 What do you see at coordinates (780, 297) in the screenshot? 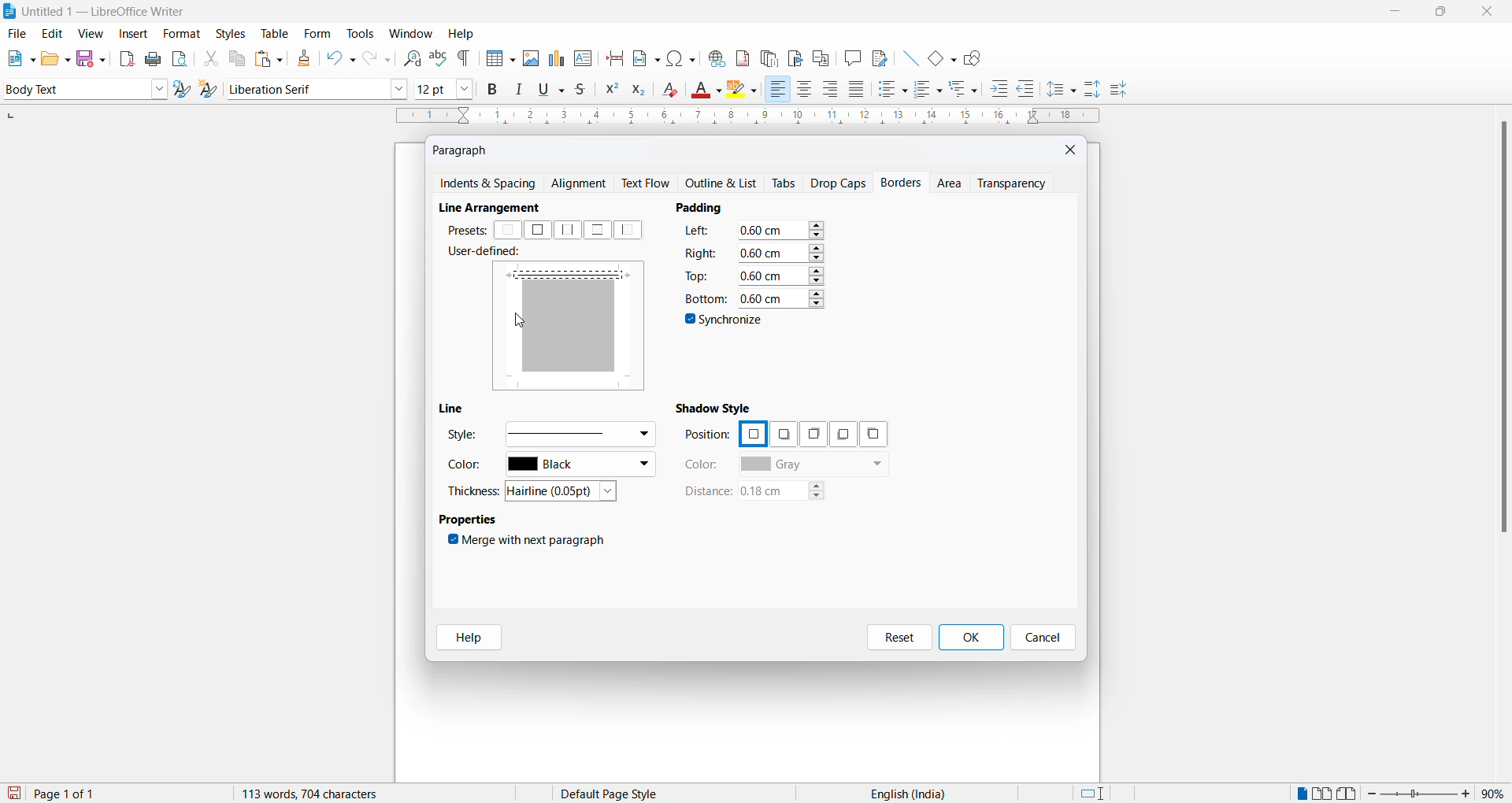
I see `value` at bounding box center [780, 297].